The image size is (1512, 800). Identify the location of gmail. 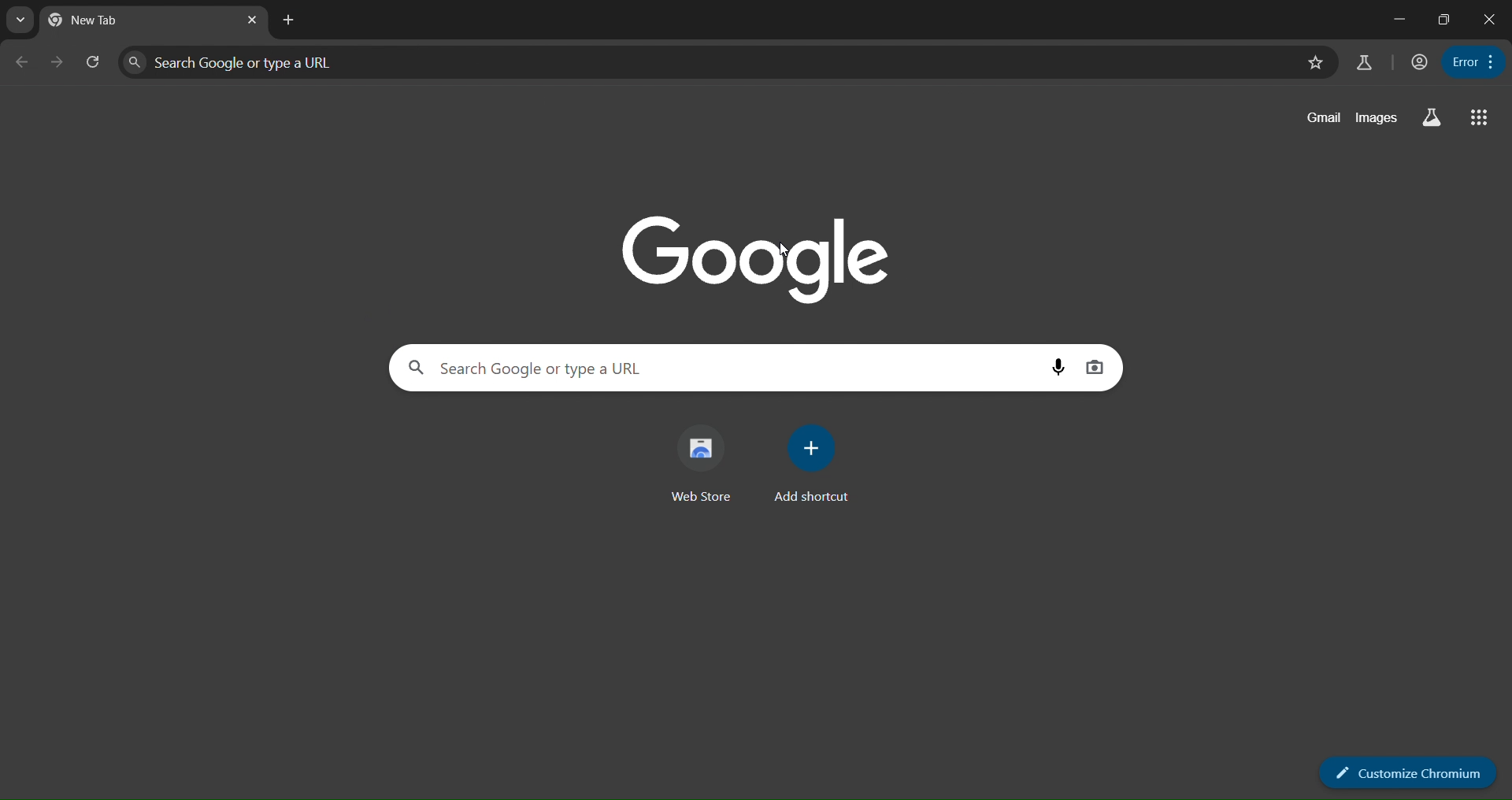
(1323, 117).